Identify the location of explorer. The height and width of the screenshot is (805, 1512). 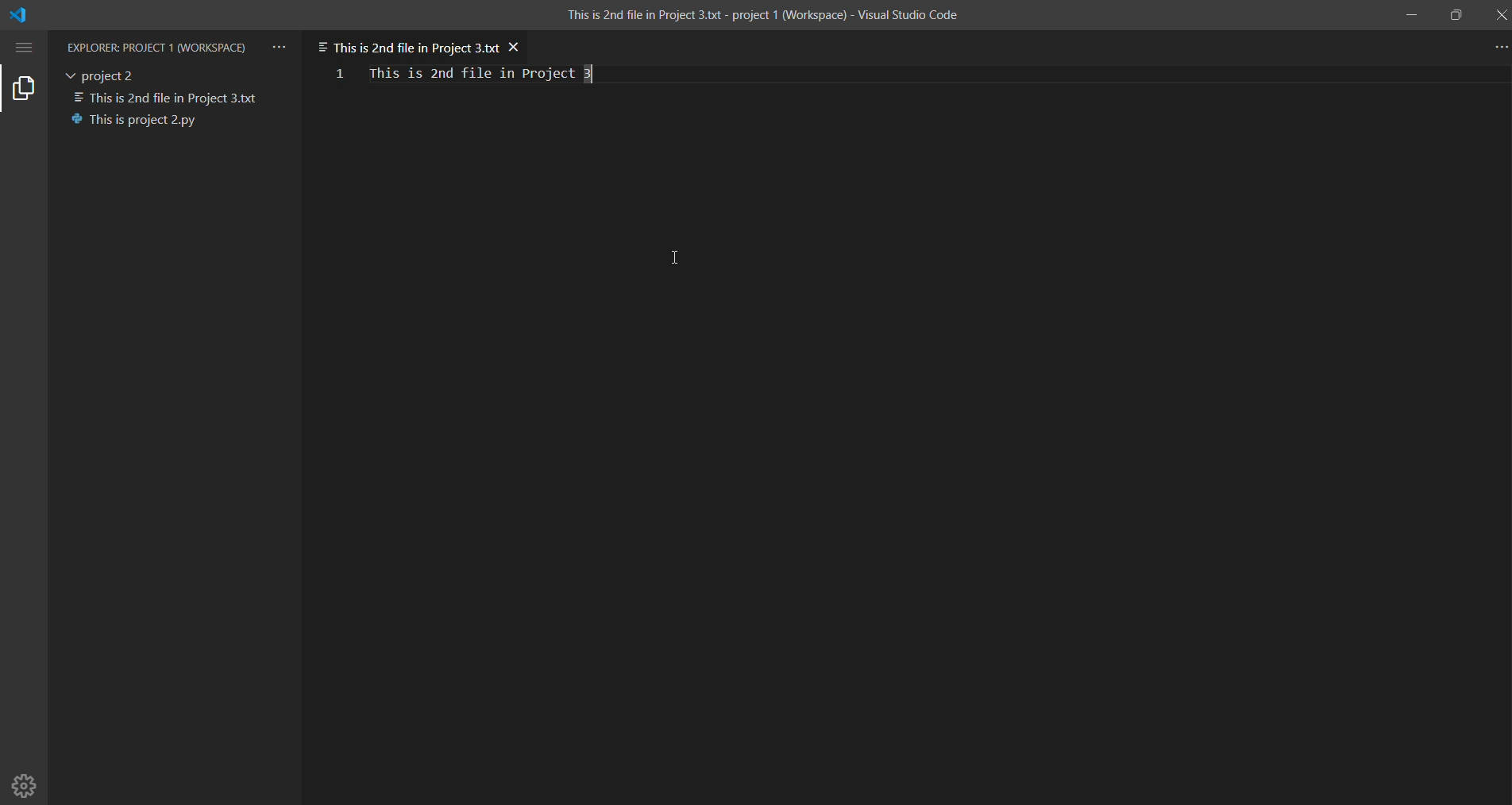
(25, 90).